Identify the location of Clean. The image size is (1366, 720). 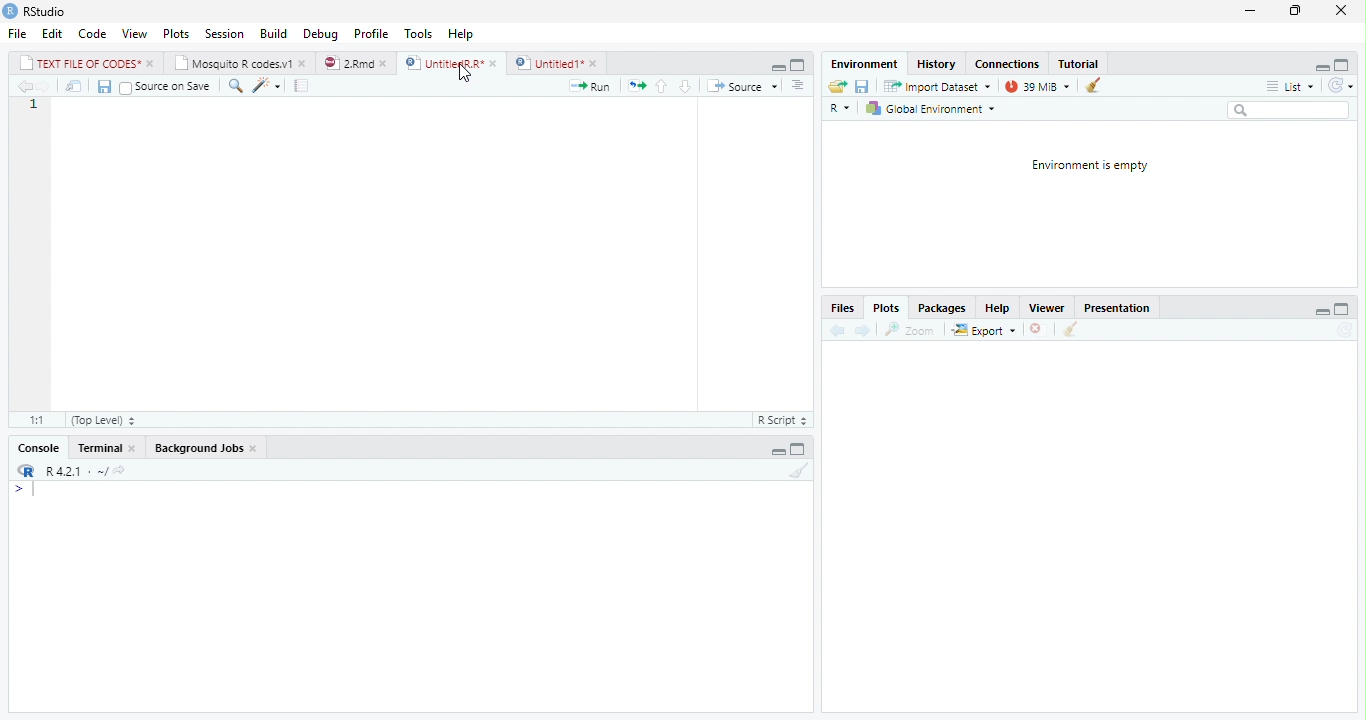
(1092, 86).